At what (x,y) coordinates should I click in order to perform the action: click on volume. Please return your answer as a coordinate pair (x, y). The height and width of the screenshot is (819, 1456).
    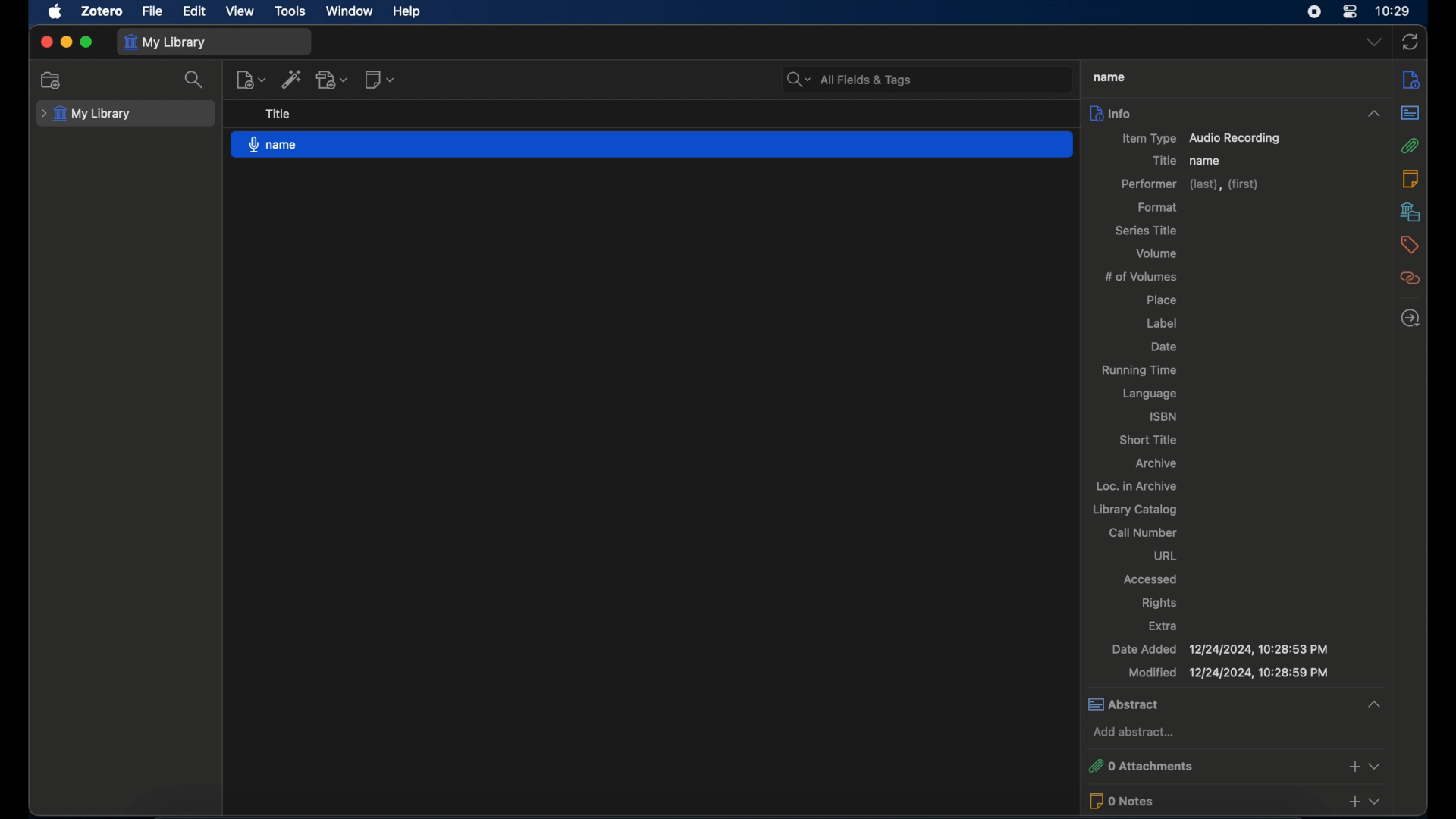
    Looking at the image, I should click on (1159, 253).